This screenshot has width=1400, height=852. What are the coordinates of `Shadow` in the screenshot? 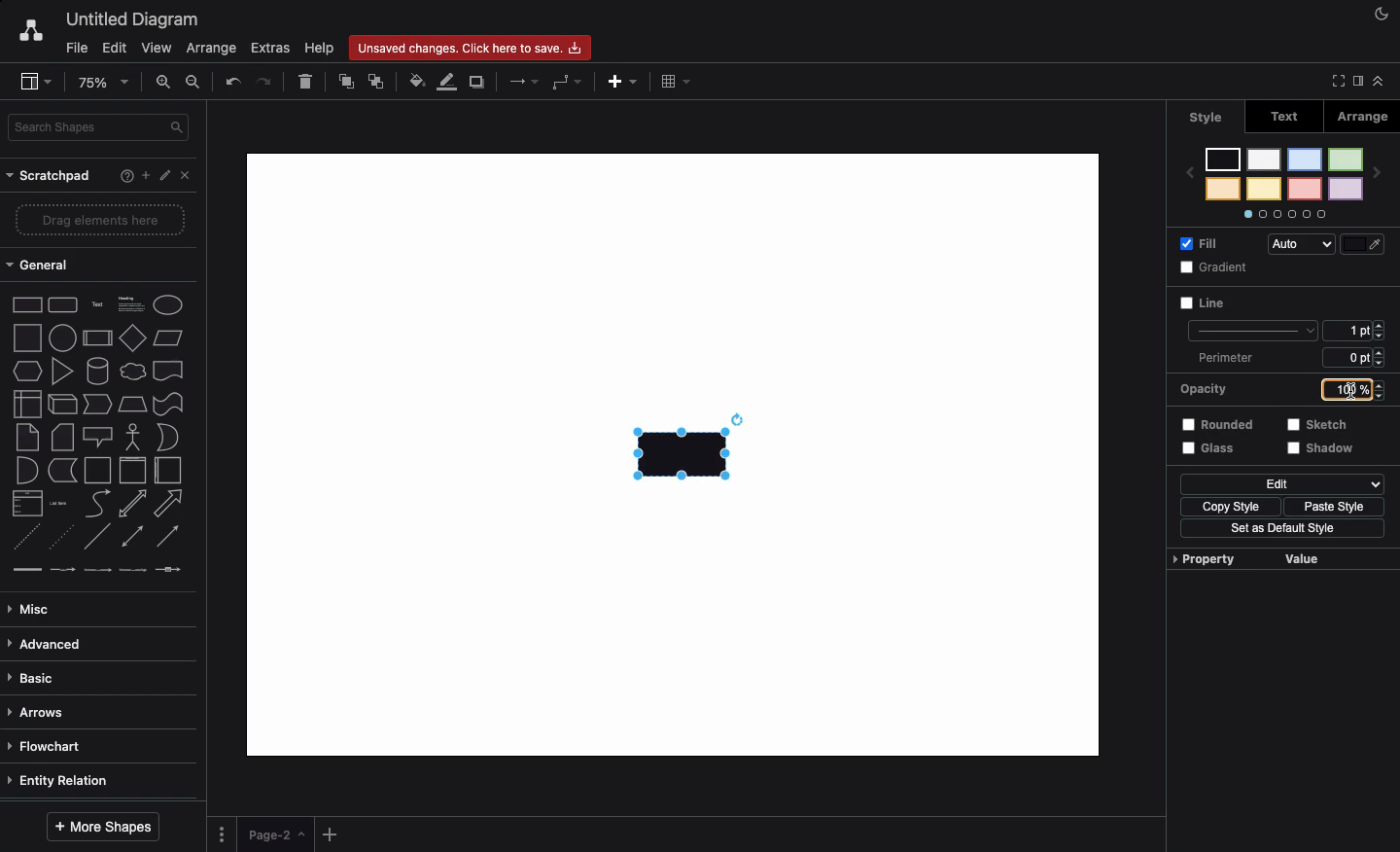 It's located at (1323, 449).